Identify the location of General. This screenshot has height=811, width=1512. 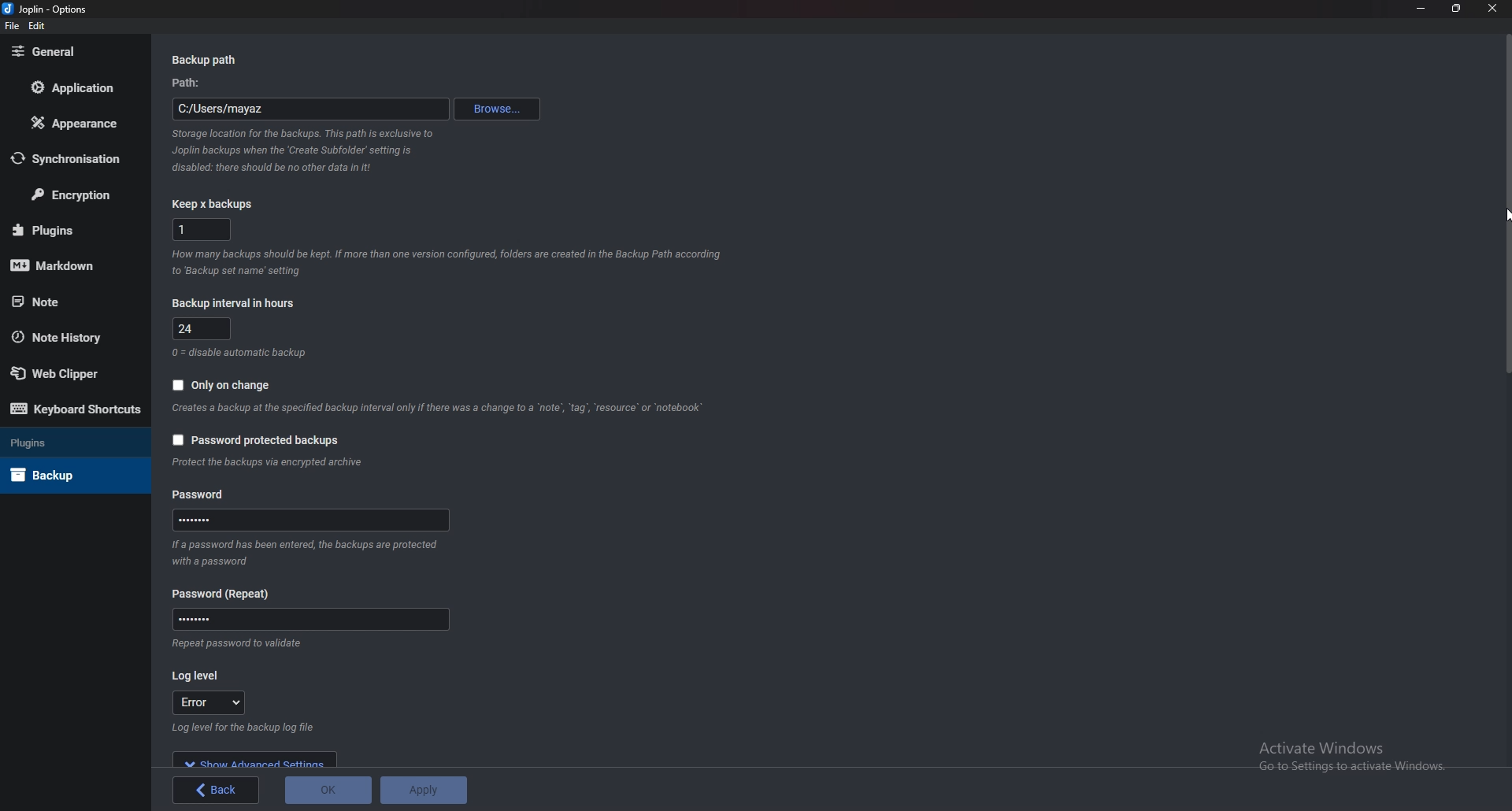
(73, 52).